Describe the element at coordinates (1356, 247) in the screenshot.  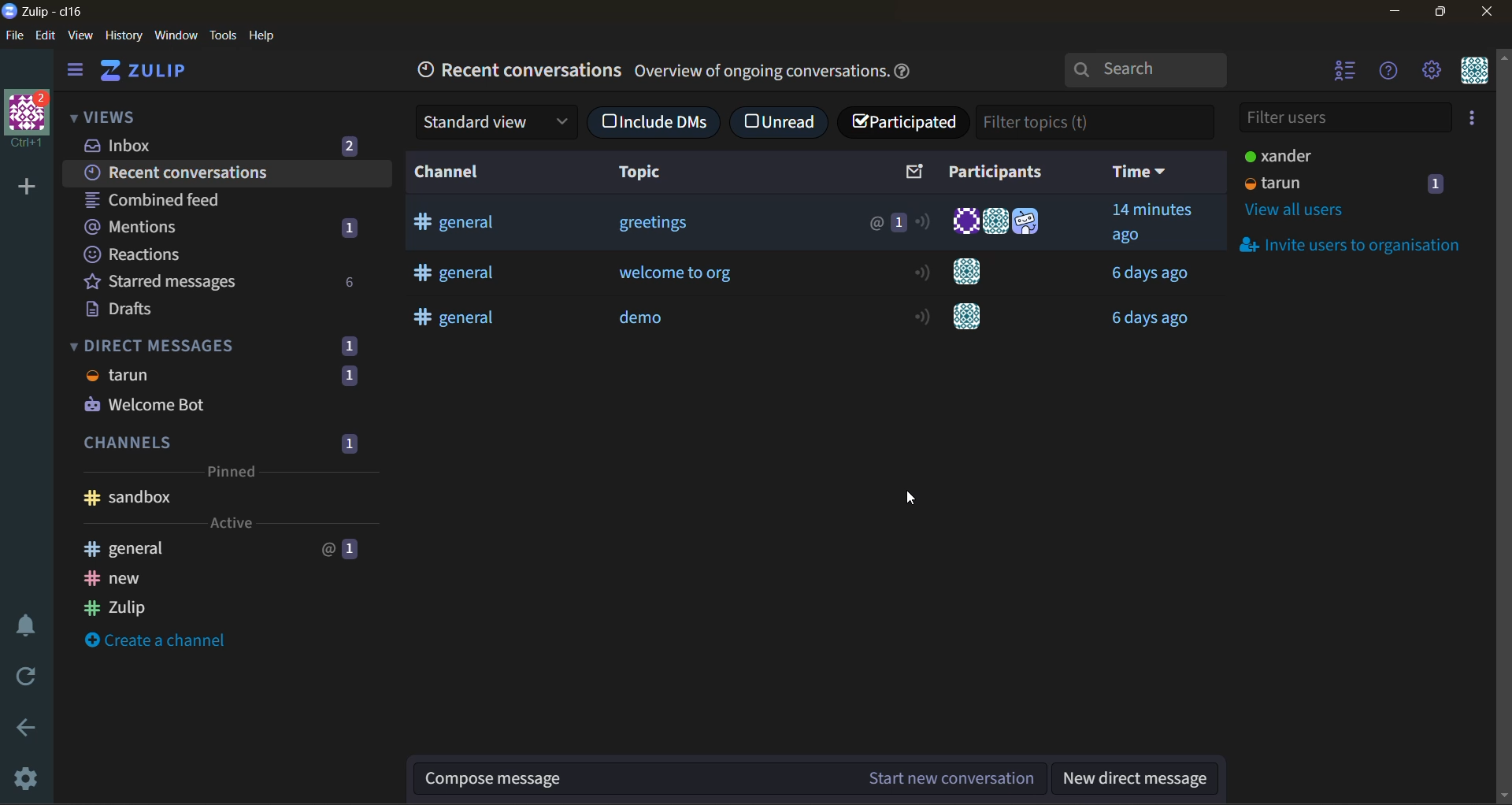
I see `invite users to organisation` at that location.